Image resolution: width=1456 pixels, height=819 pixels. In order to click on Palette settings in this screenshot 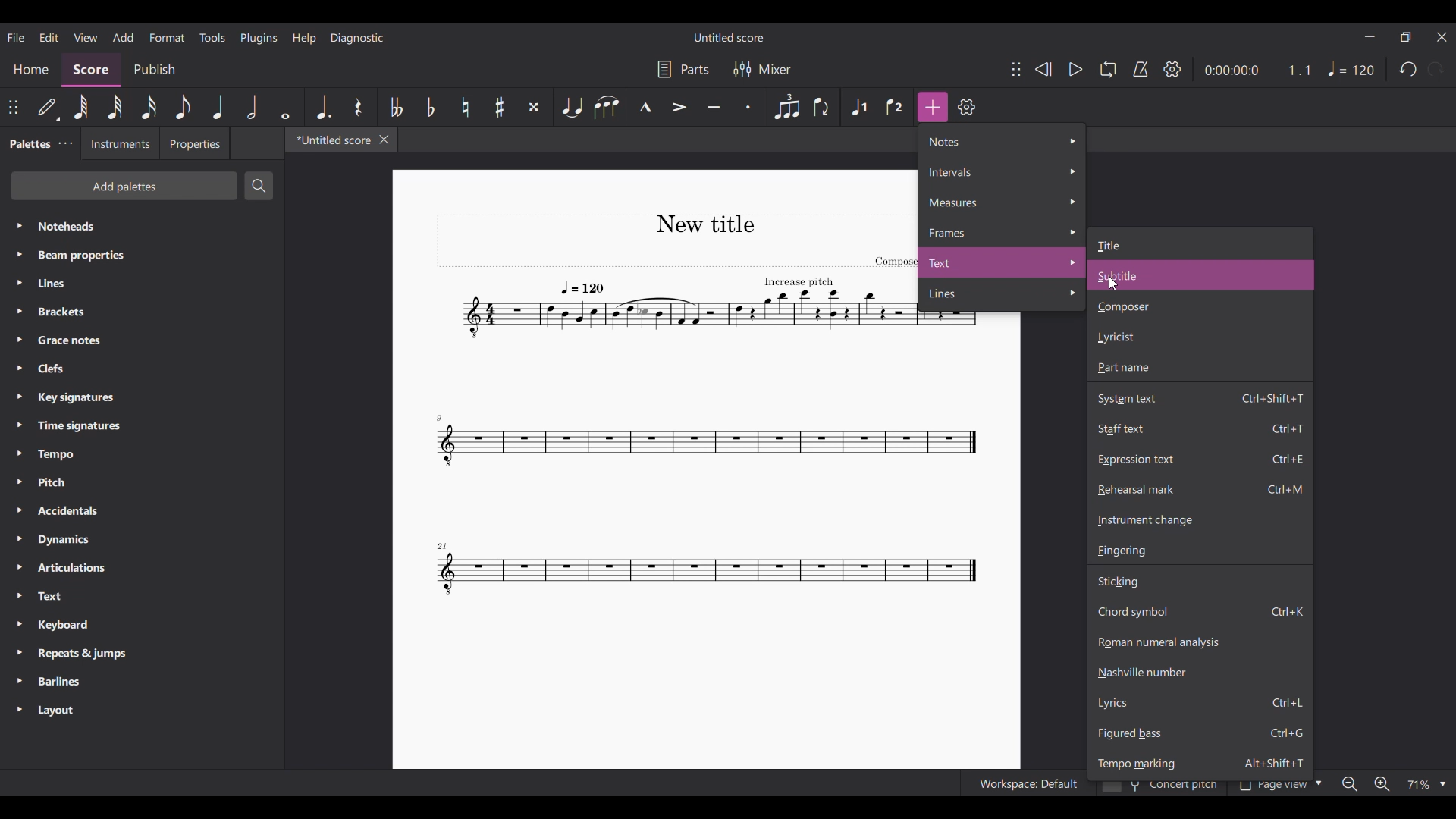, I will do `click(65, 143)`.